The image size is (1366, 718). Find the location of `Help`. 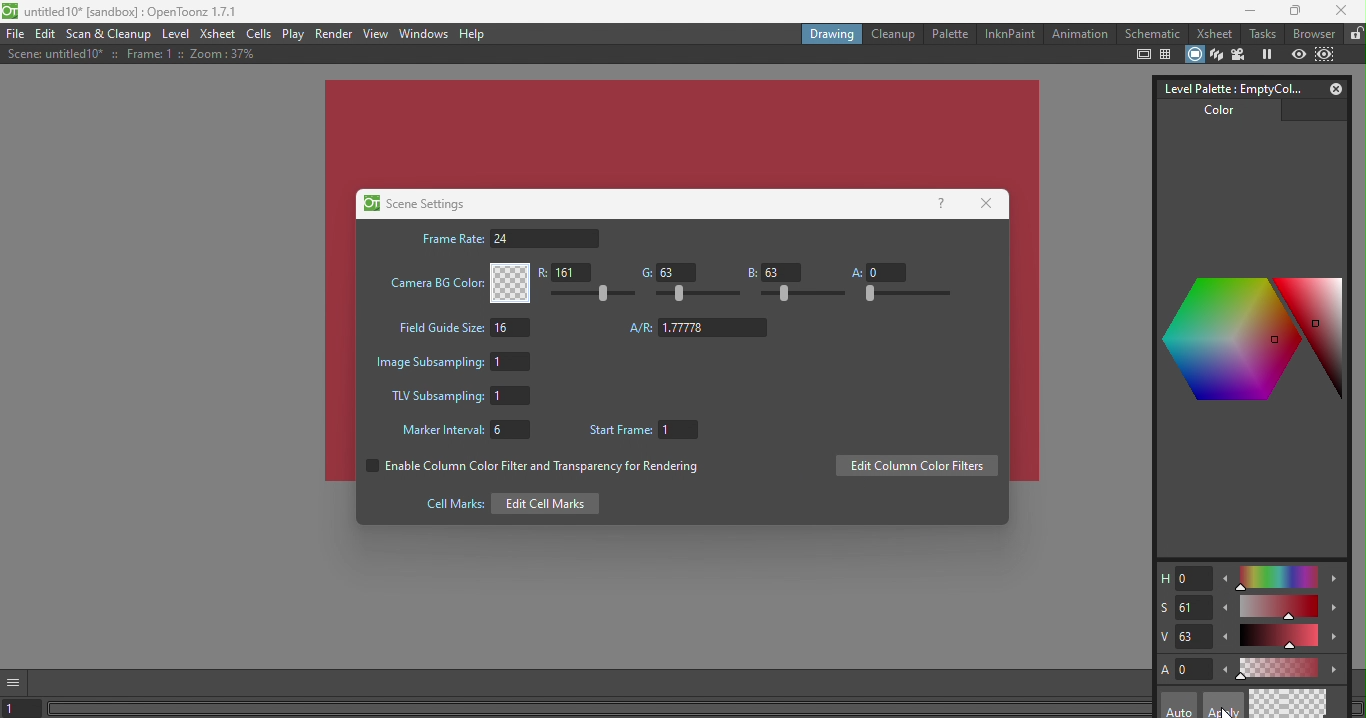

Help is located at coordinates (475, 34).